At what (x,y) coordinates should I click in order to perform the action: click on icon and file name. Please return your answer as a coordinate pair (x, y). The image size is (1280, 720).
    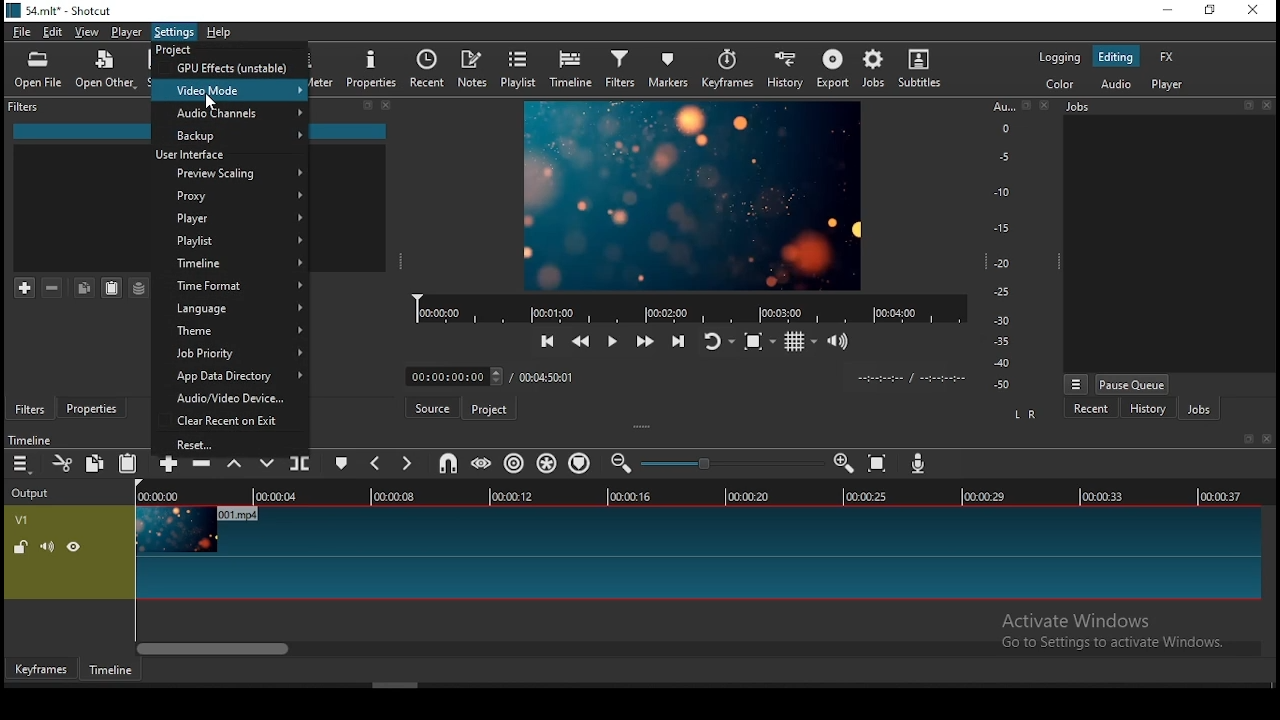
    Looking at the image, I should click on (62, 9).